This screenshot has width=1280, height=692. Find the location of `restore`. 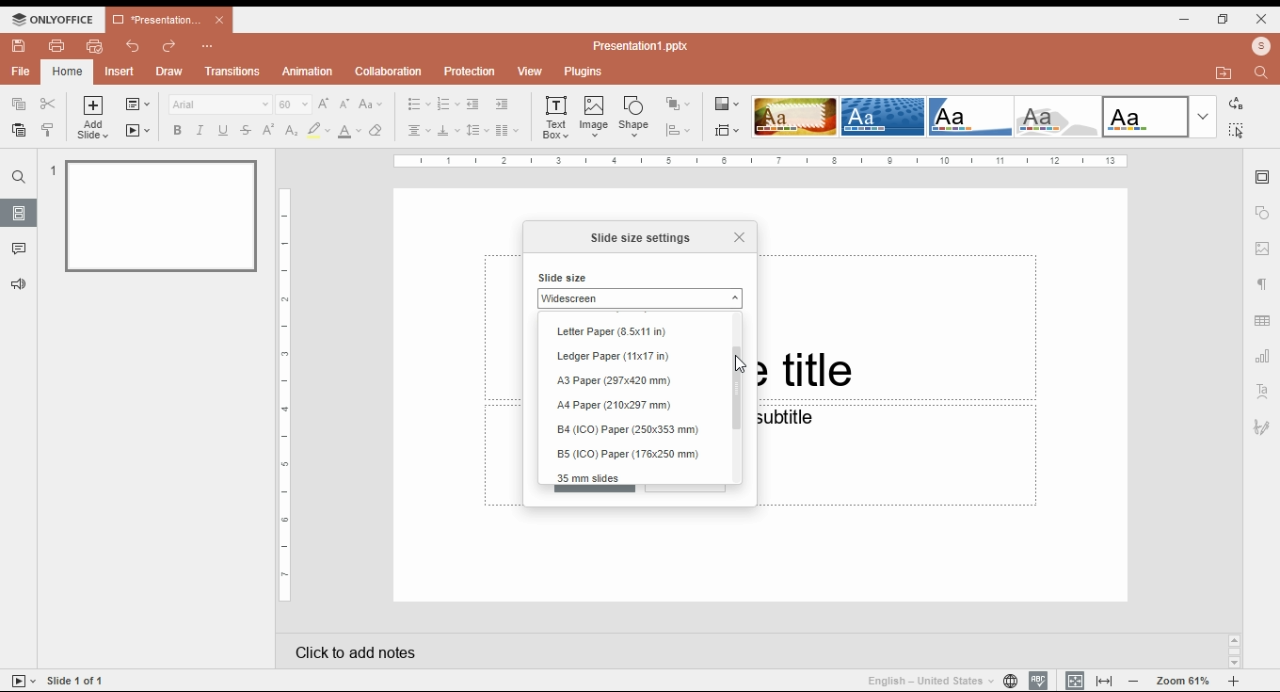

restore is located at coordinates (1223, 19).